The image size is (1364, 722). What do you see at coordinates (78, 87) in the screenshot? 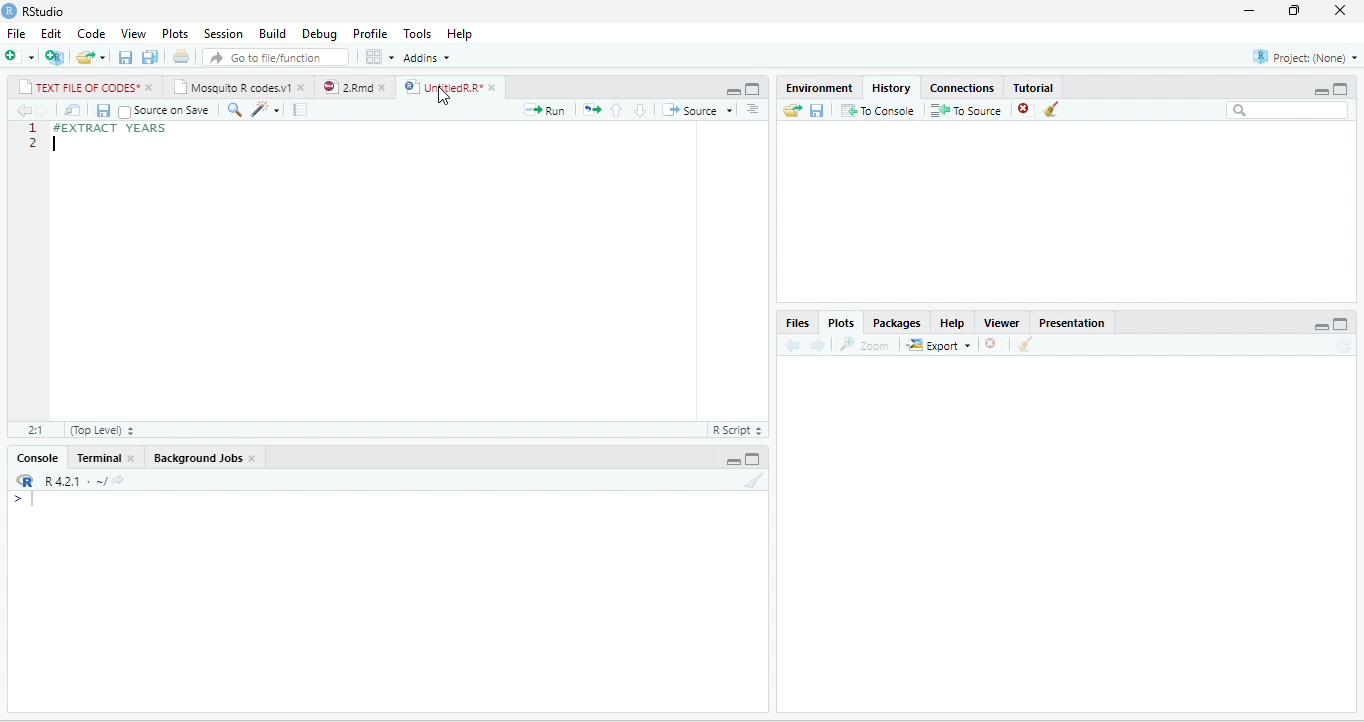
I see `TEXT FILE OF CODES` at bounding box center [78, 87].